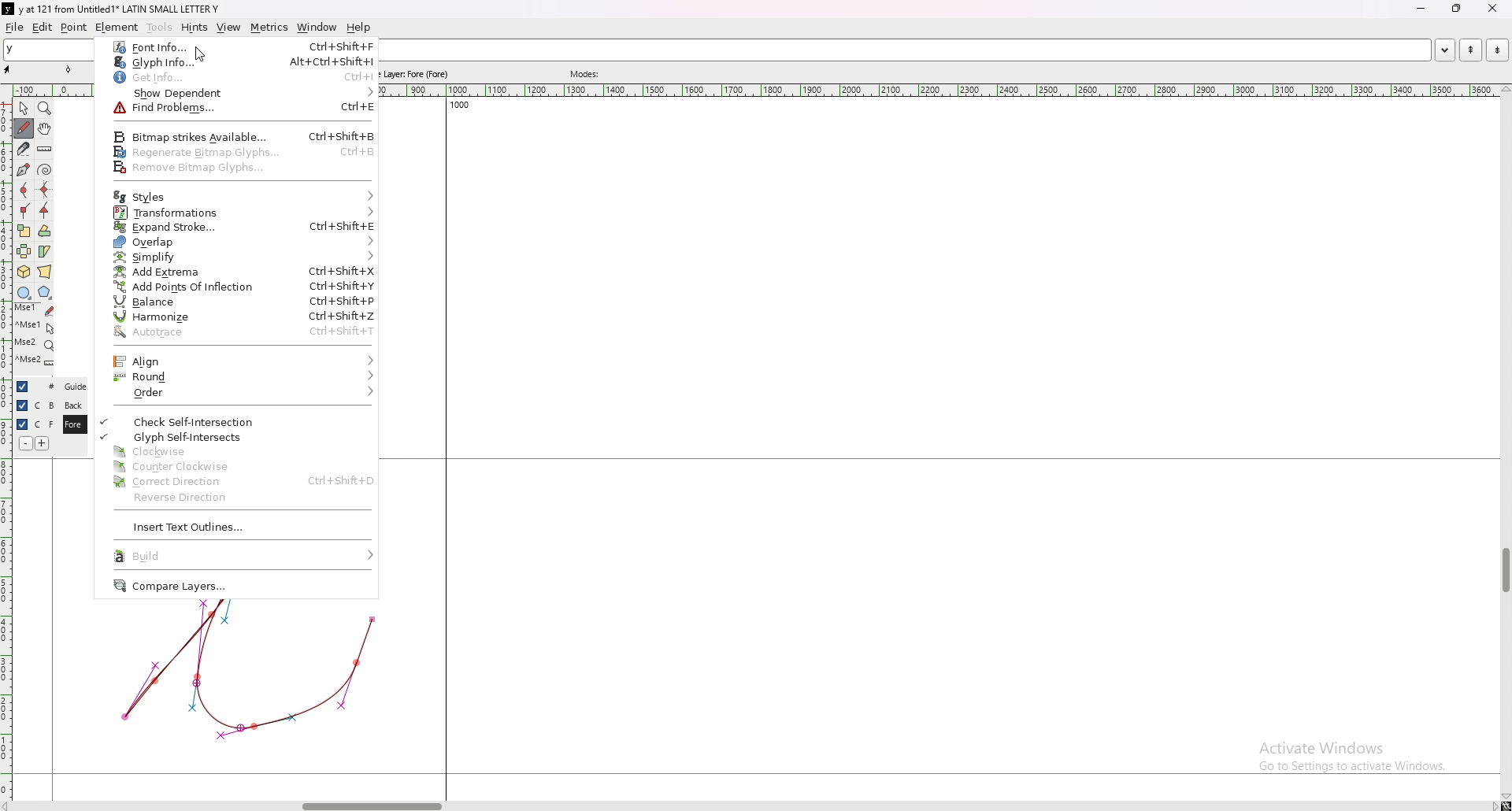  I want to click on tools, so click(160, 28).